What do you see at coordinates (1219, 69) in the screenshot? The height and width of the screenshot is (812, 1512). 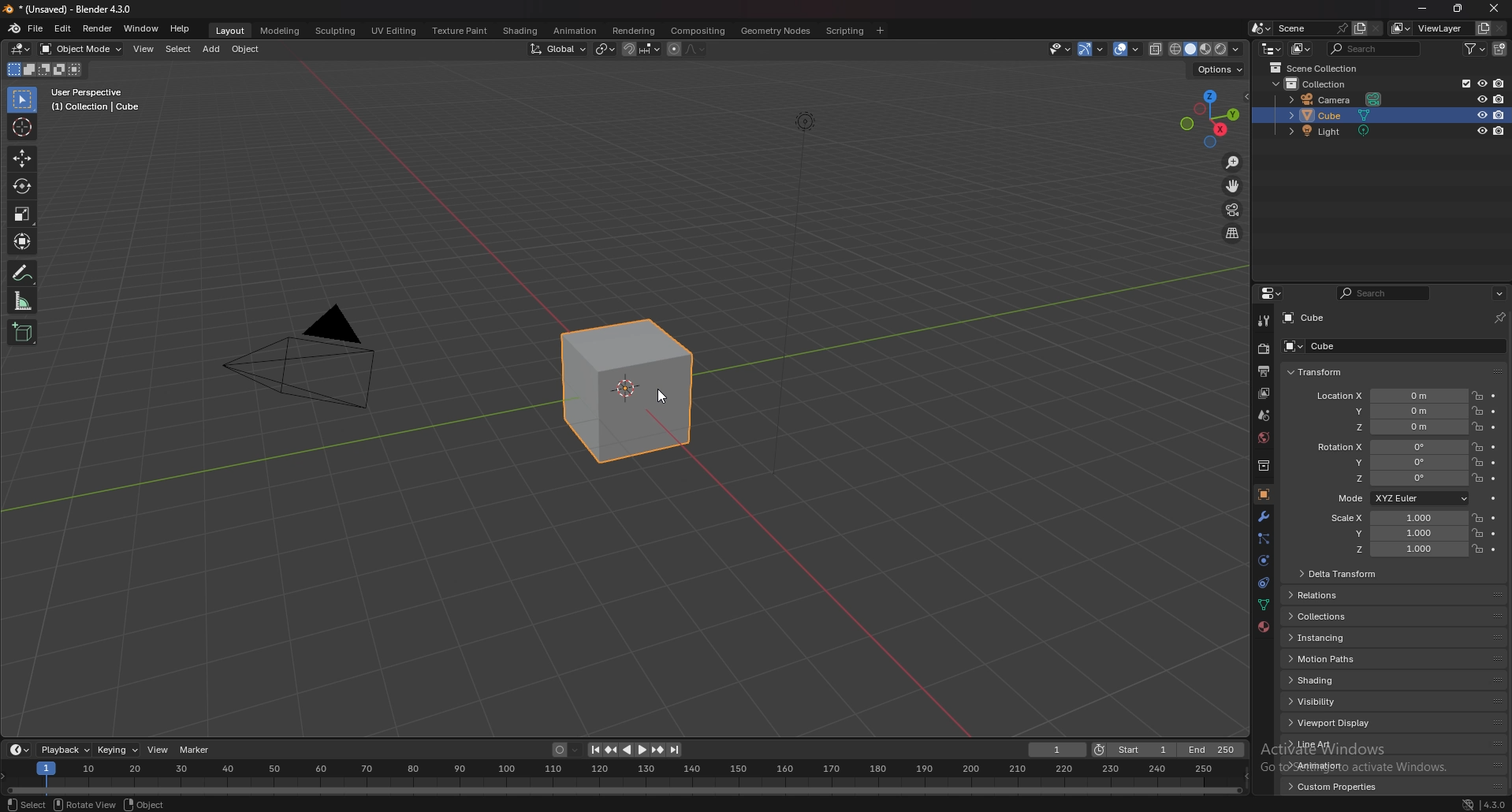 I see `options` at bounding box center [1219, 69].